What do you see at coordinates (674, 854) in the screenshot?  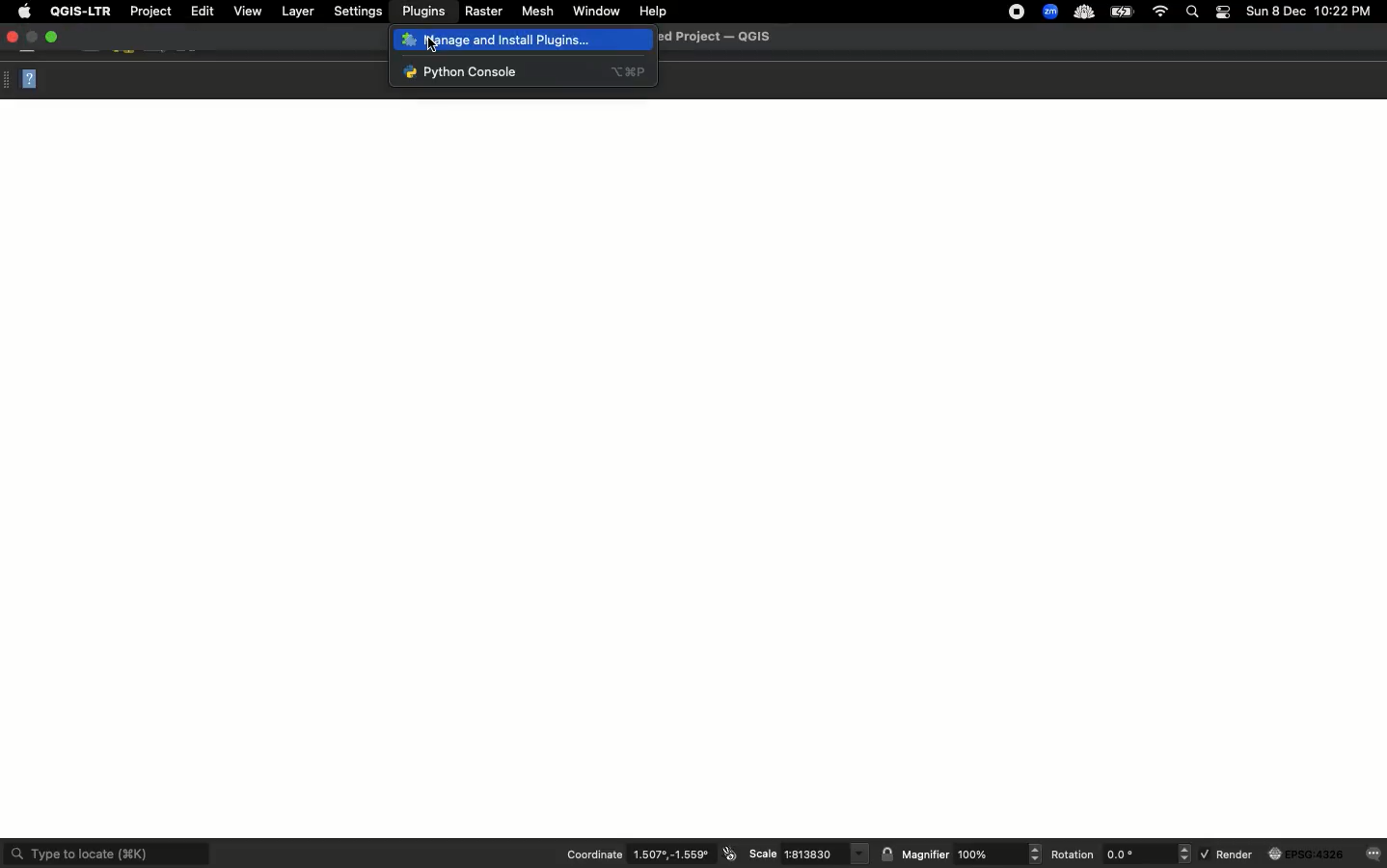 I see `Coordinates` at bounding box center [674, 854].